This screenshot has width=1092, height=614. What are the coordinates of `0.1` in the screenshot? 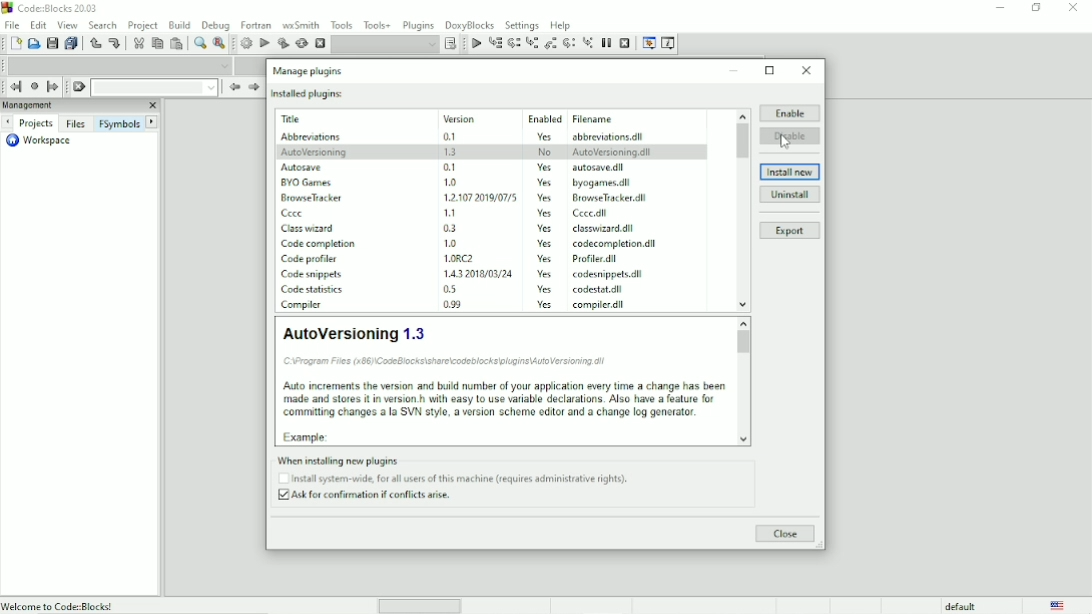 It's located at (450, 137).